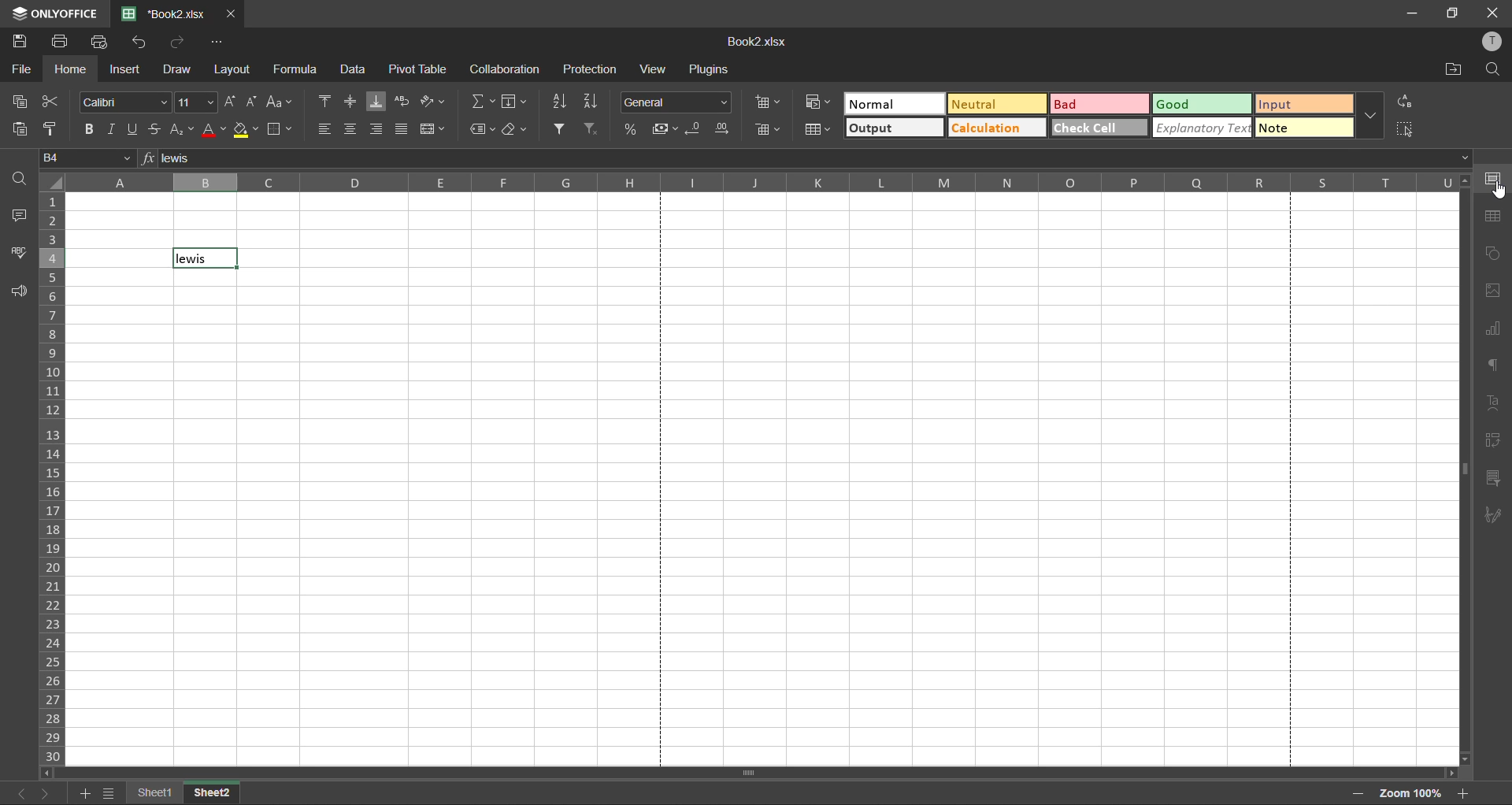 This screenshot has height=805, width=1512. Describe the element at coordinates (21, 43) in the screenshot. I see `save` at that location.